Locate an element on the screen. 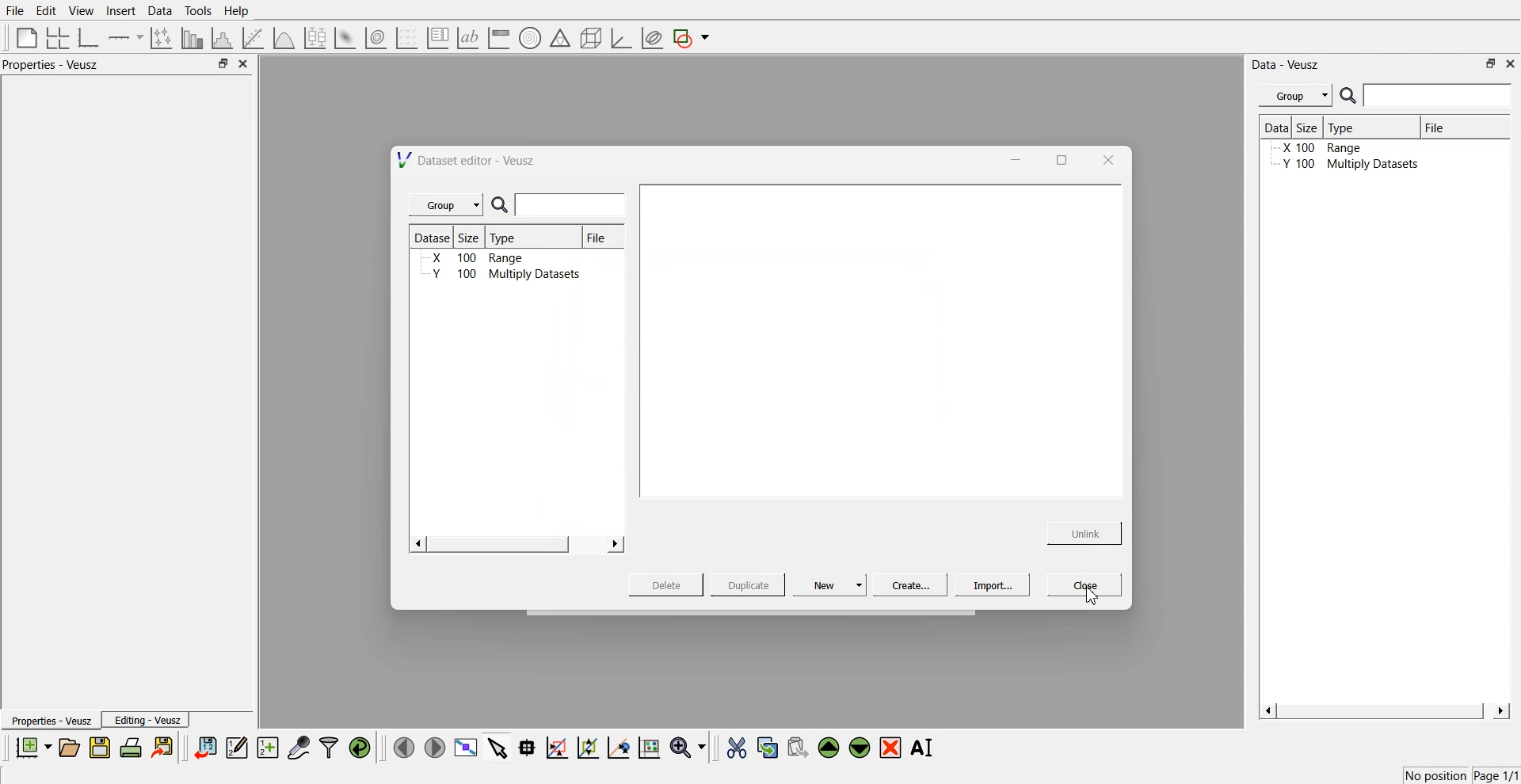  print is located at coordinates (135, 747).